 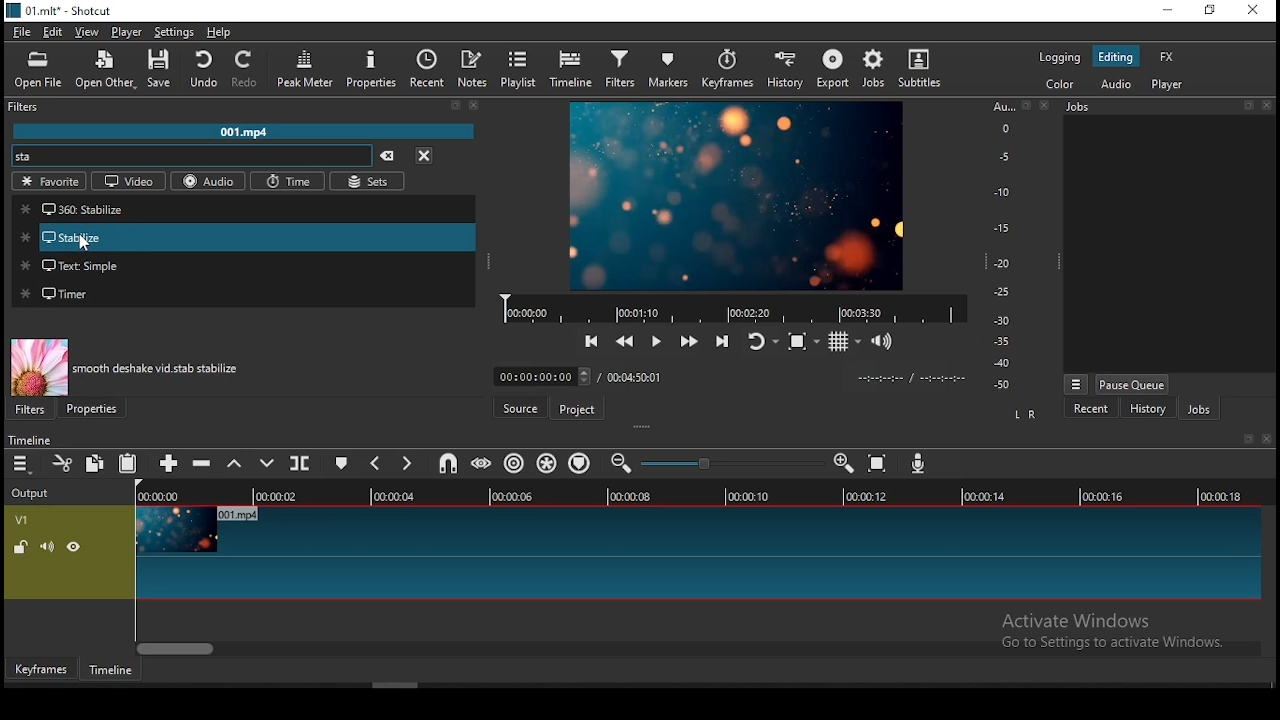 What do you see at coordinates (1165, 57) in the screenshot?
I see `fx` at bounding box center [1165, 57].